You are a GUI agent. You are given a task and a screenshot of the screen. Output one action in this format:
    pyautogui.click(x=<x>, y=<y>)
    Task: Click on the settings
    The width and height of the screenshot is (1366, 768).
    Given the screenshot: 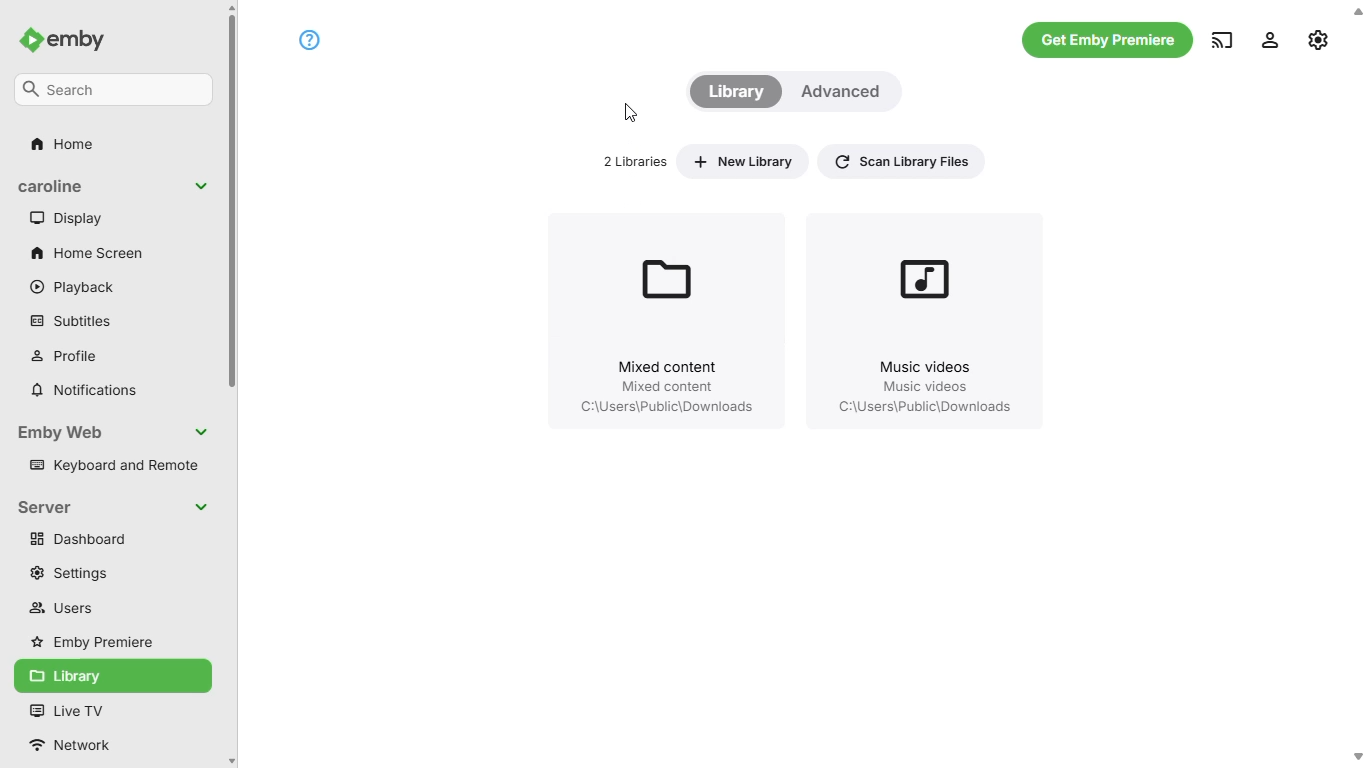 What is the action you would take?
    pyautogui.click(x=1320, y=39)
    